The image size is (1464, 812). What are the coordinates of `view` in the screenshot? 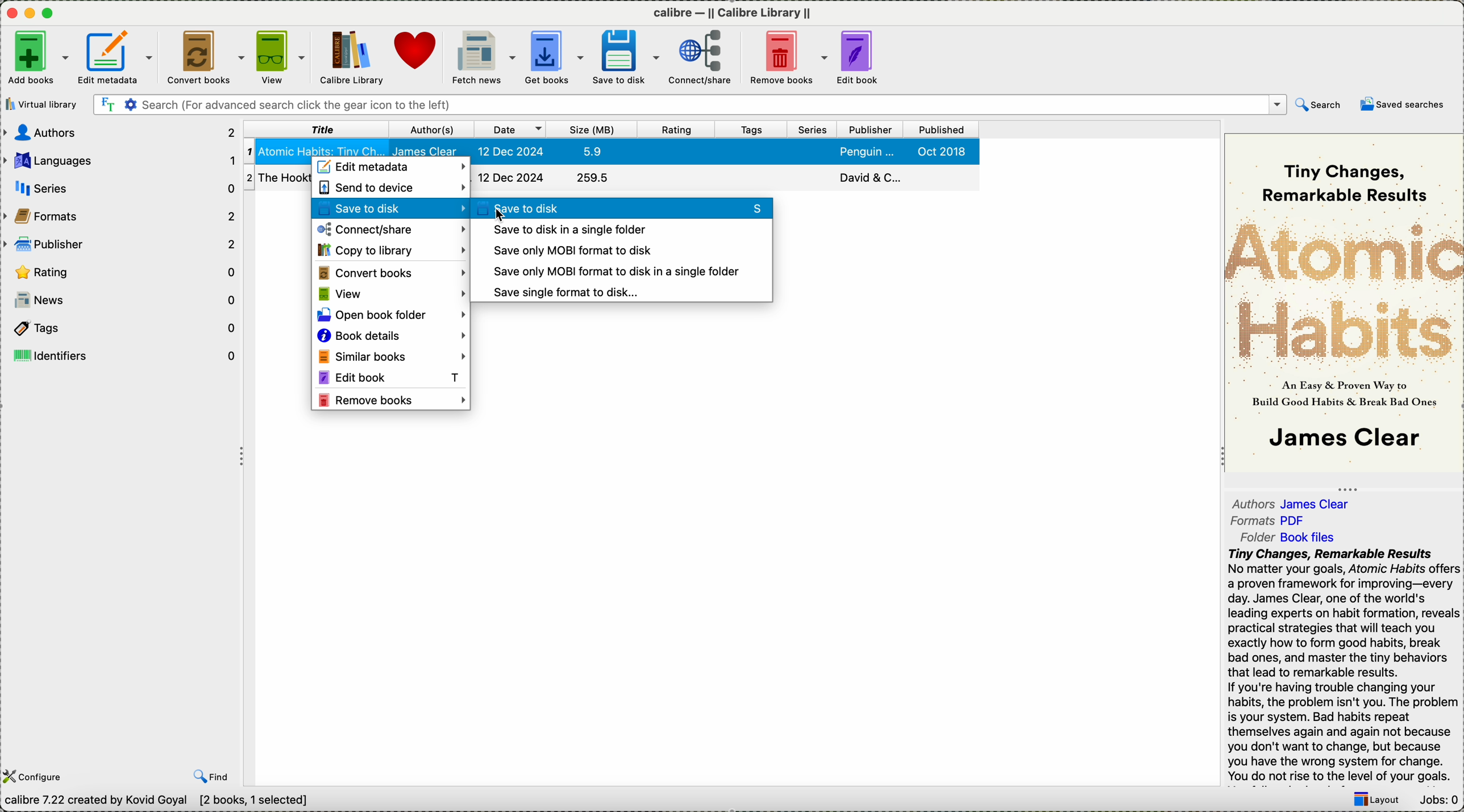 It's located at (280, 56).